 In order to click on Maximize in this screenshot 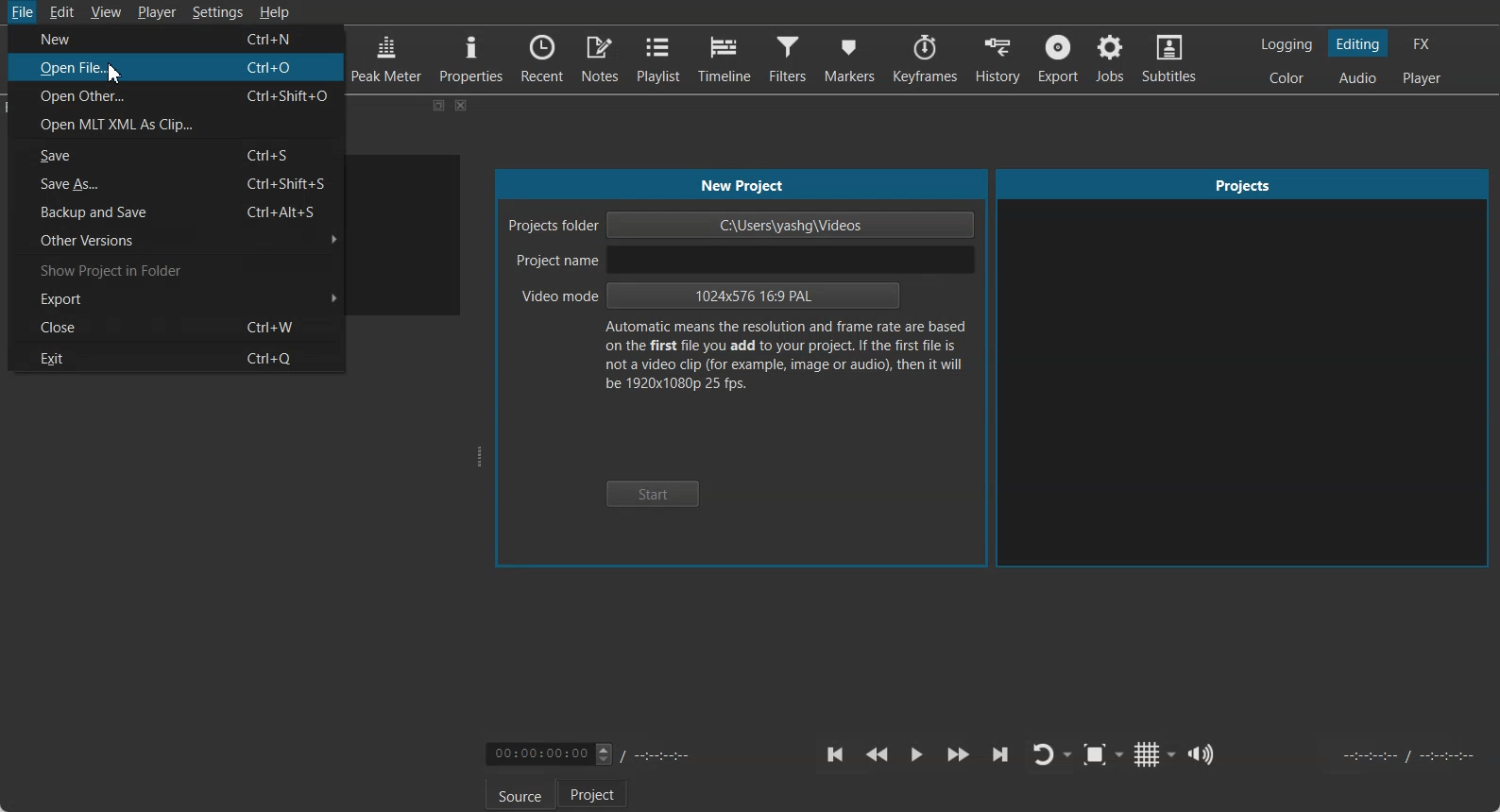, I will do `click(439, 105)`.